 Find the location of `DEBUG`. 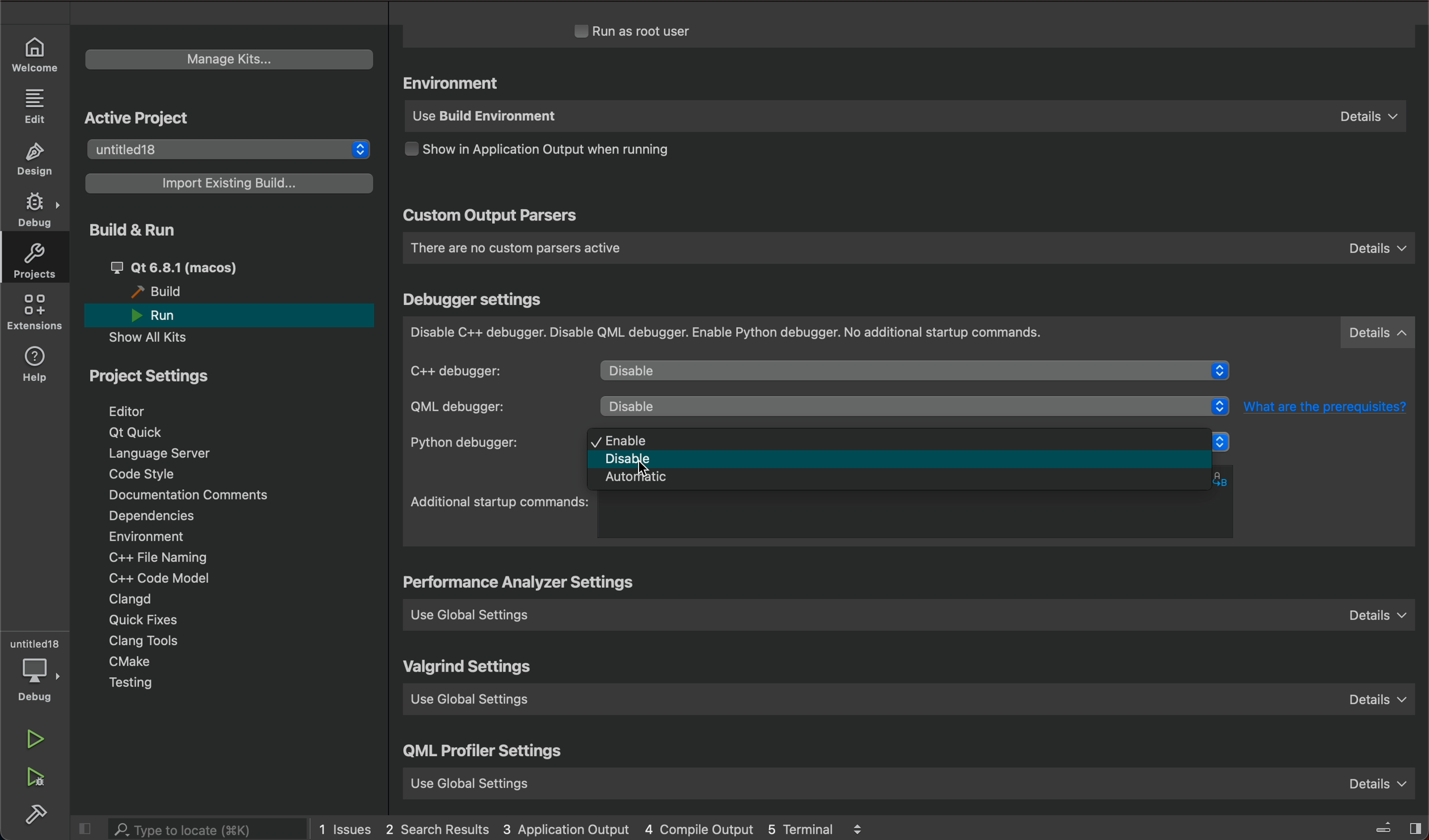

DEBUG is located at coordinates (37, 211).